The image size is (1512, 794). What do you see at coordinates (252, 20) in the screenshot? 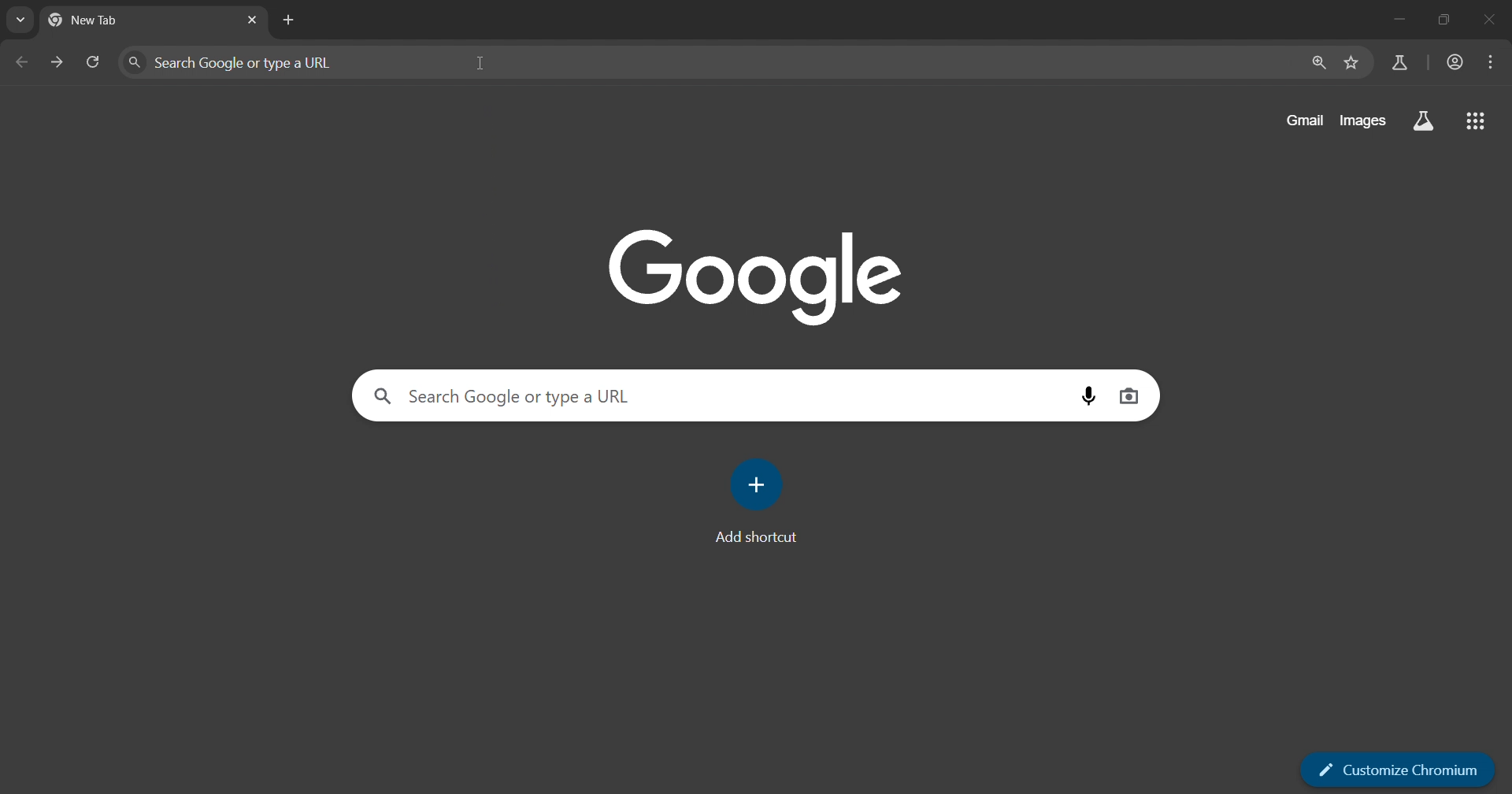
I see `close tab` at bounding box center [252, 20].